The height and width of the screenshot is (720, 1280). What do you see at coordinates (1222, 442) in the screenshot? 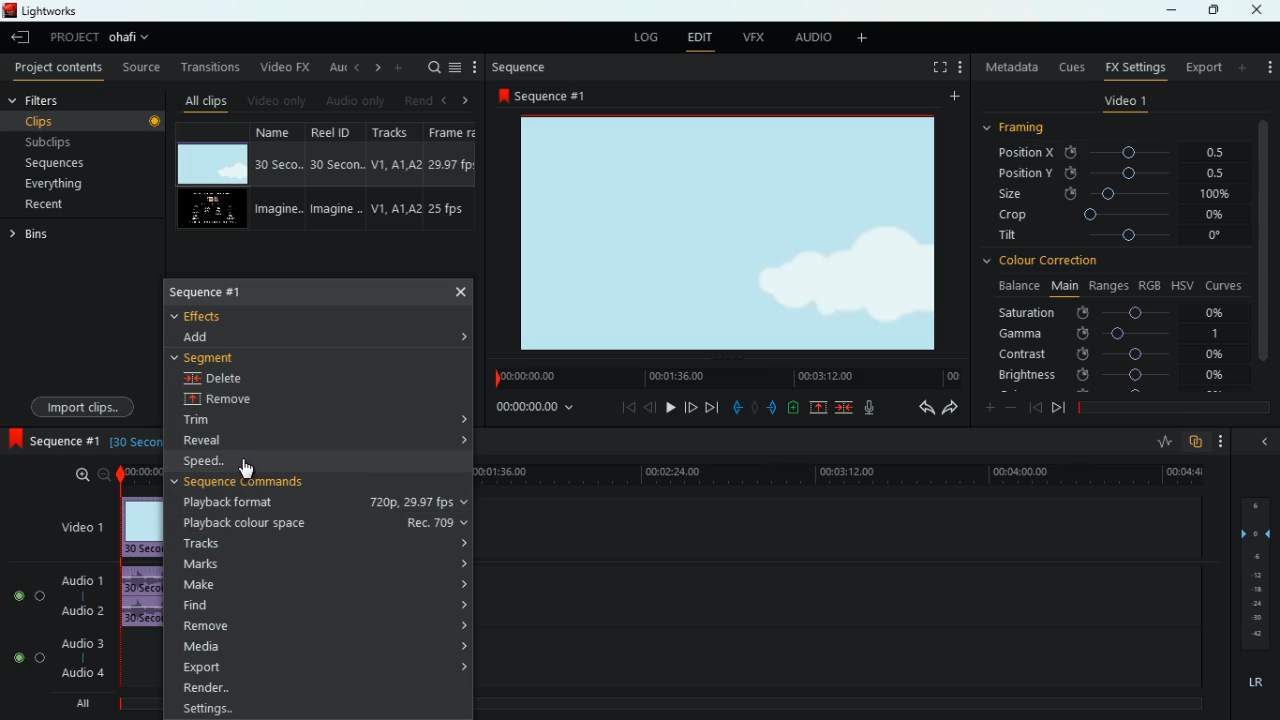
I see `more` at bounding box center [1222, 442].